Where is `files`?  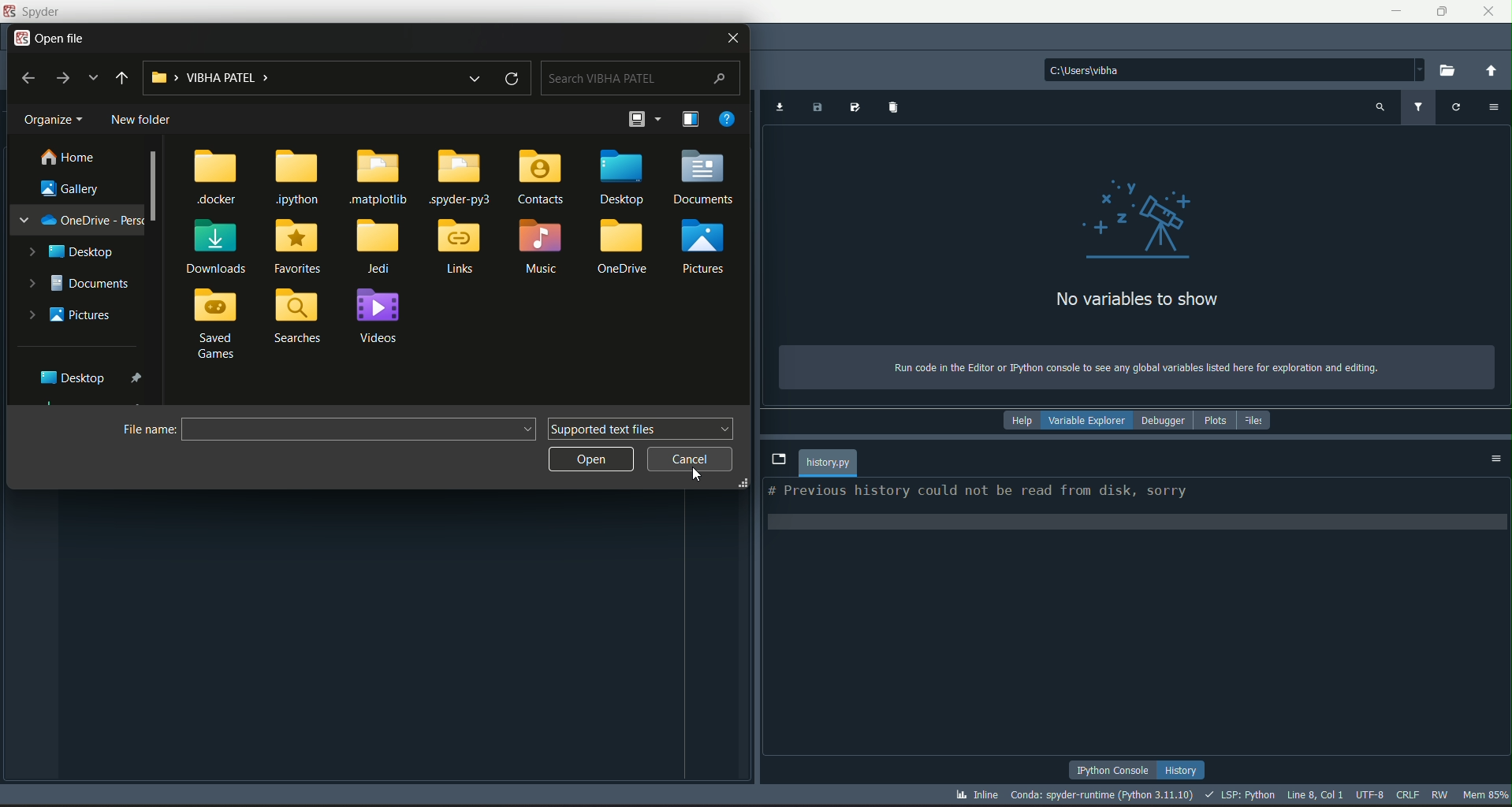
files is located at coordinates (1258, 419).